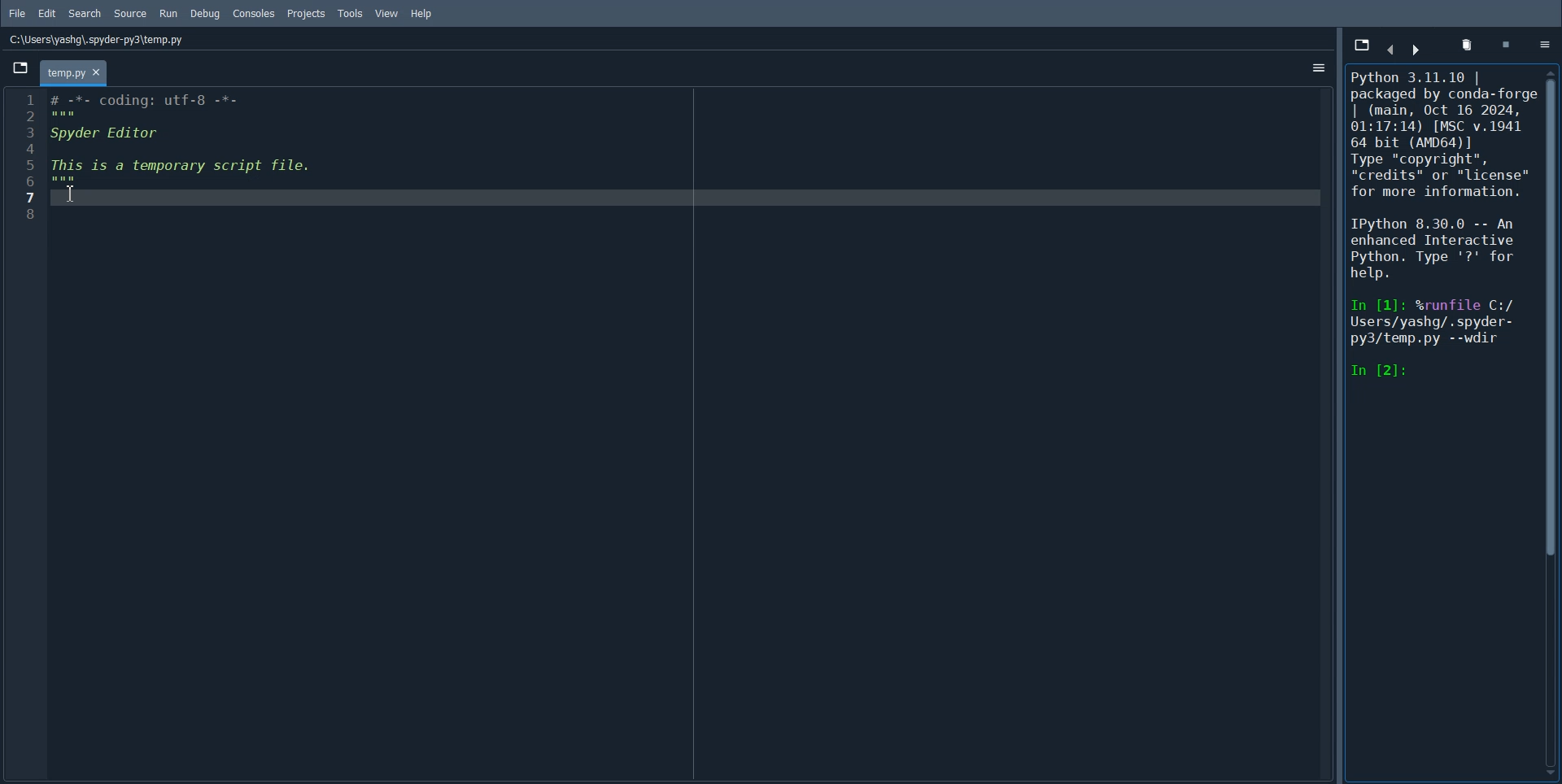 The width and height of the screenshot is (1562, 784). I want to click on Remove all variables, so click(1468, 43).